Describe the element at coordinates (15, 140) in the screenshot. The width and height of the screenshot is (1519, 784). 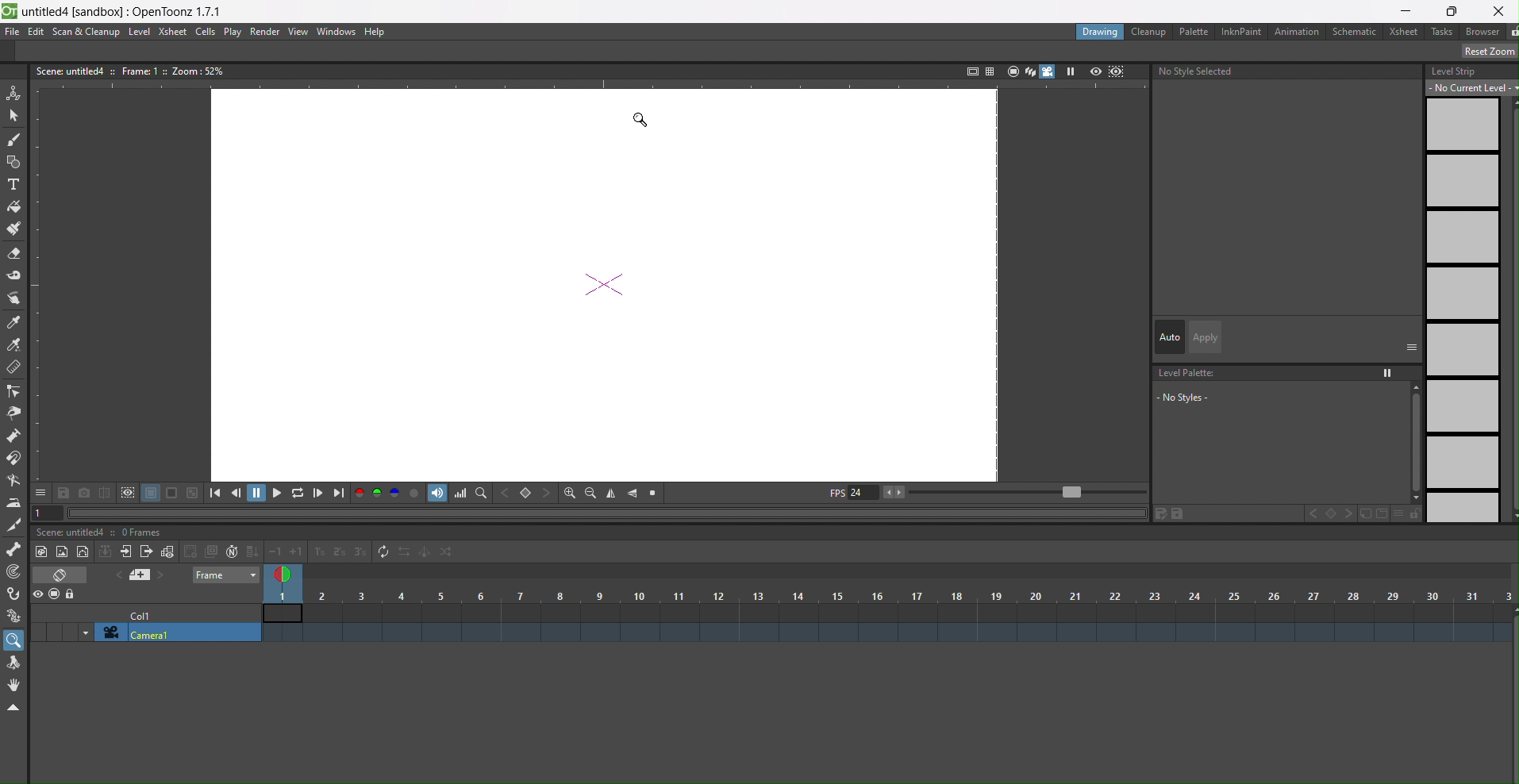
I see `brush tool` at that location.